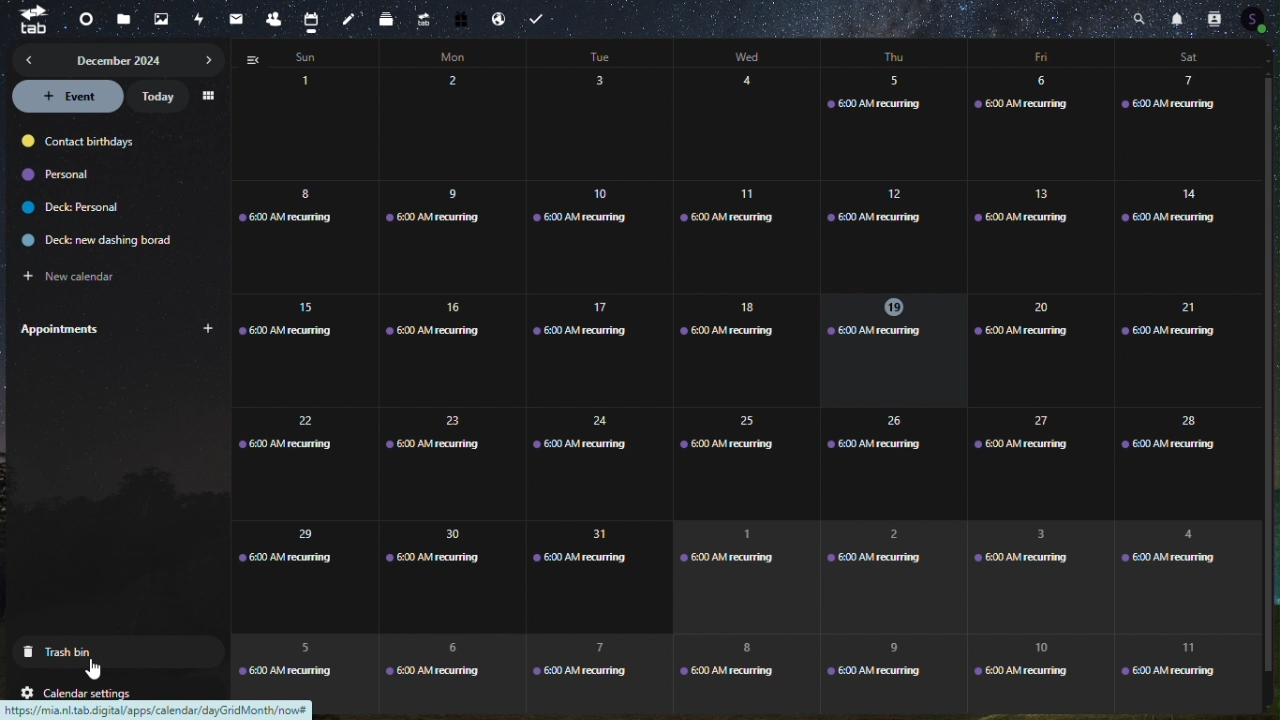 This screenshot has height=720, width=1280. I want to click on deck, so click(385, 19).